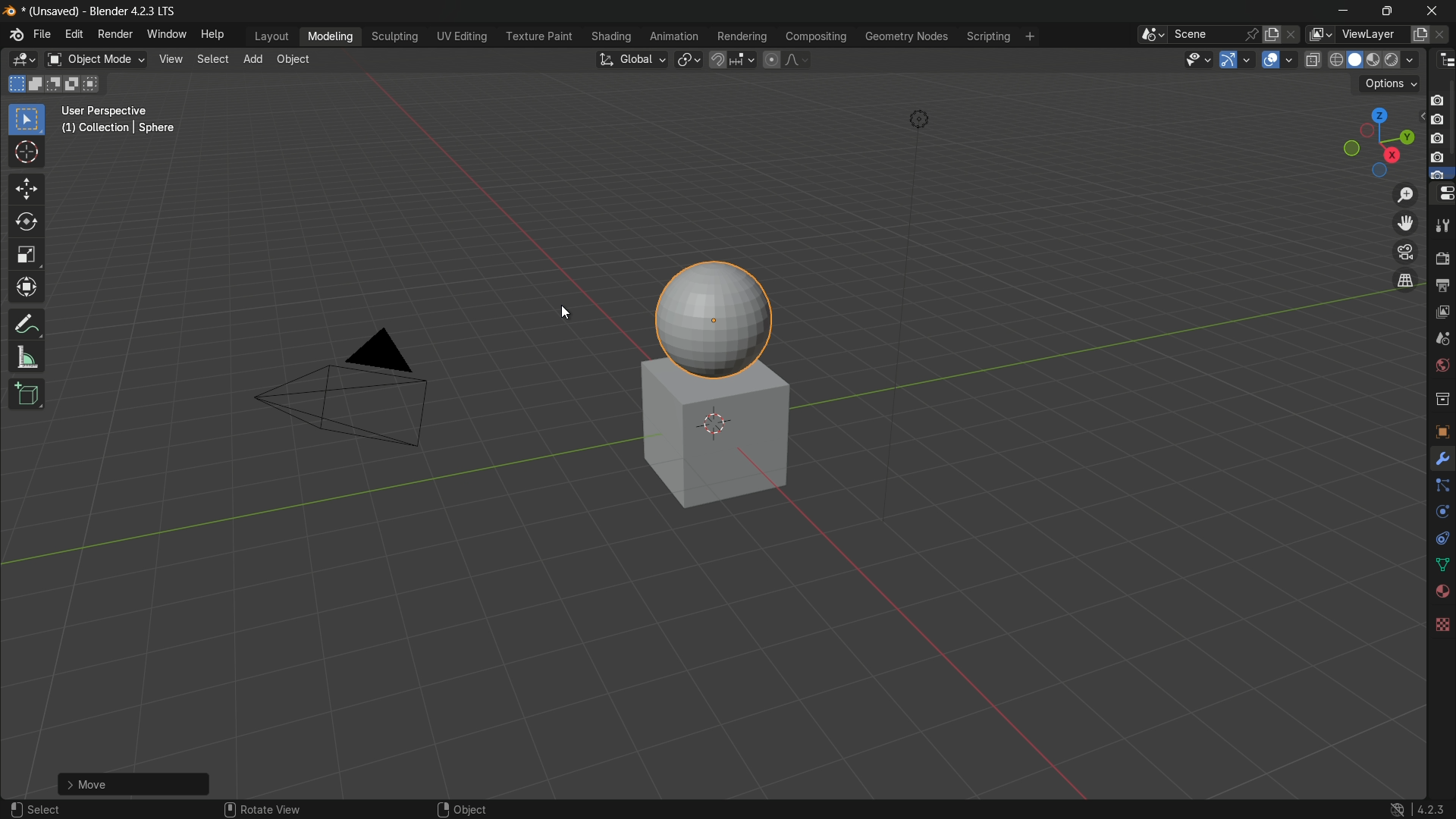  Describe the element at coordinates (538, 38) in the screenshot. I see `texture paint menu` at that location.